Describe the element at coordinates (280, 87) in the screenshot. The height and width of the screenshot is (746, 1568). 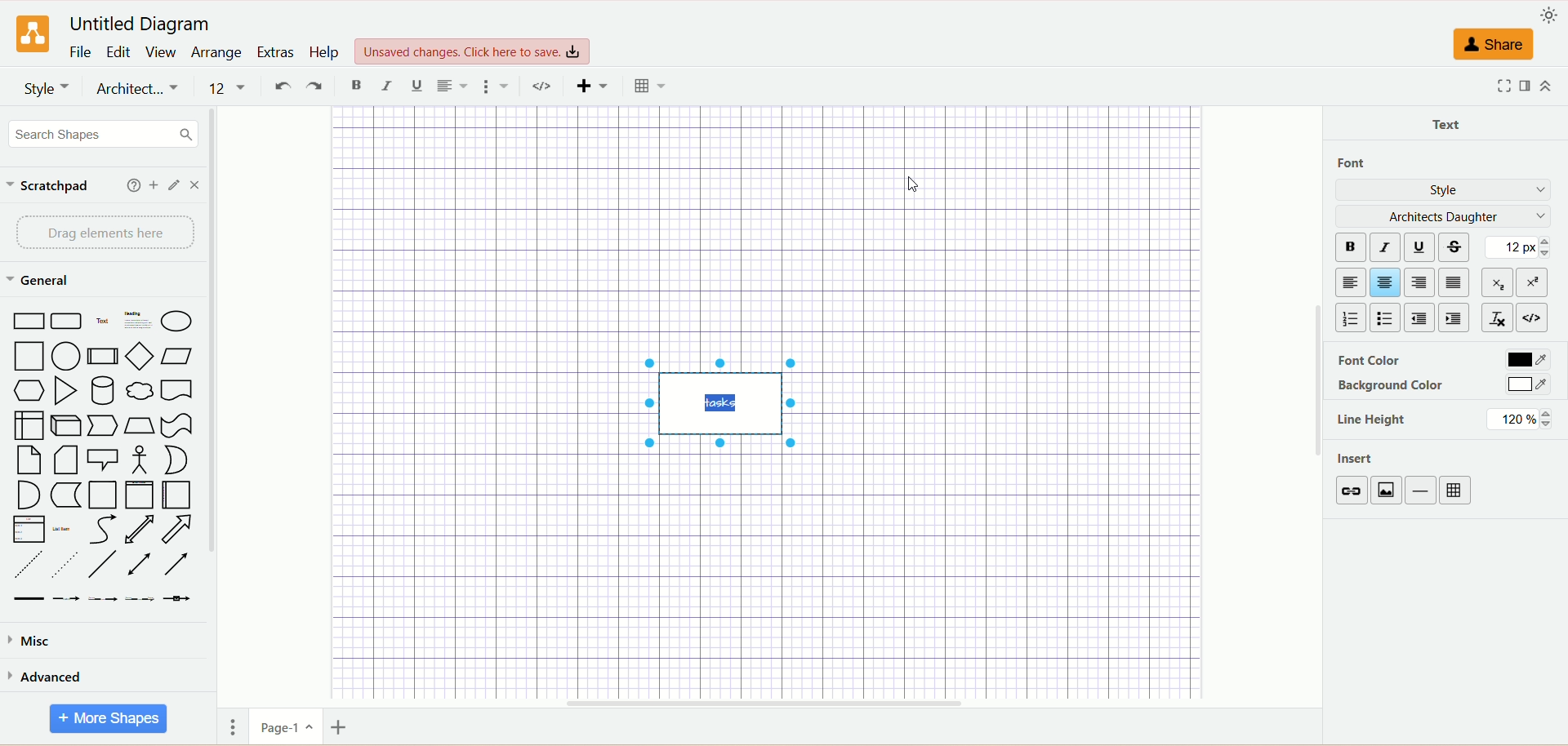
I see `Undo` at that location.